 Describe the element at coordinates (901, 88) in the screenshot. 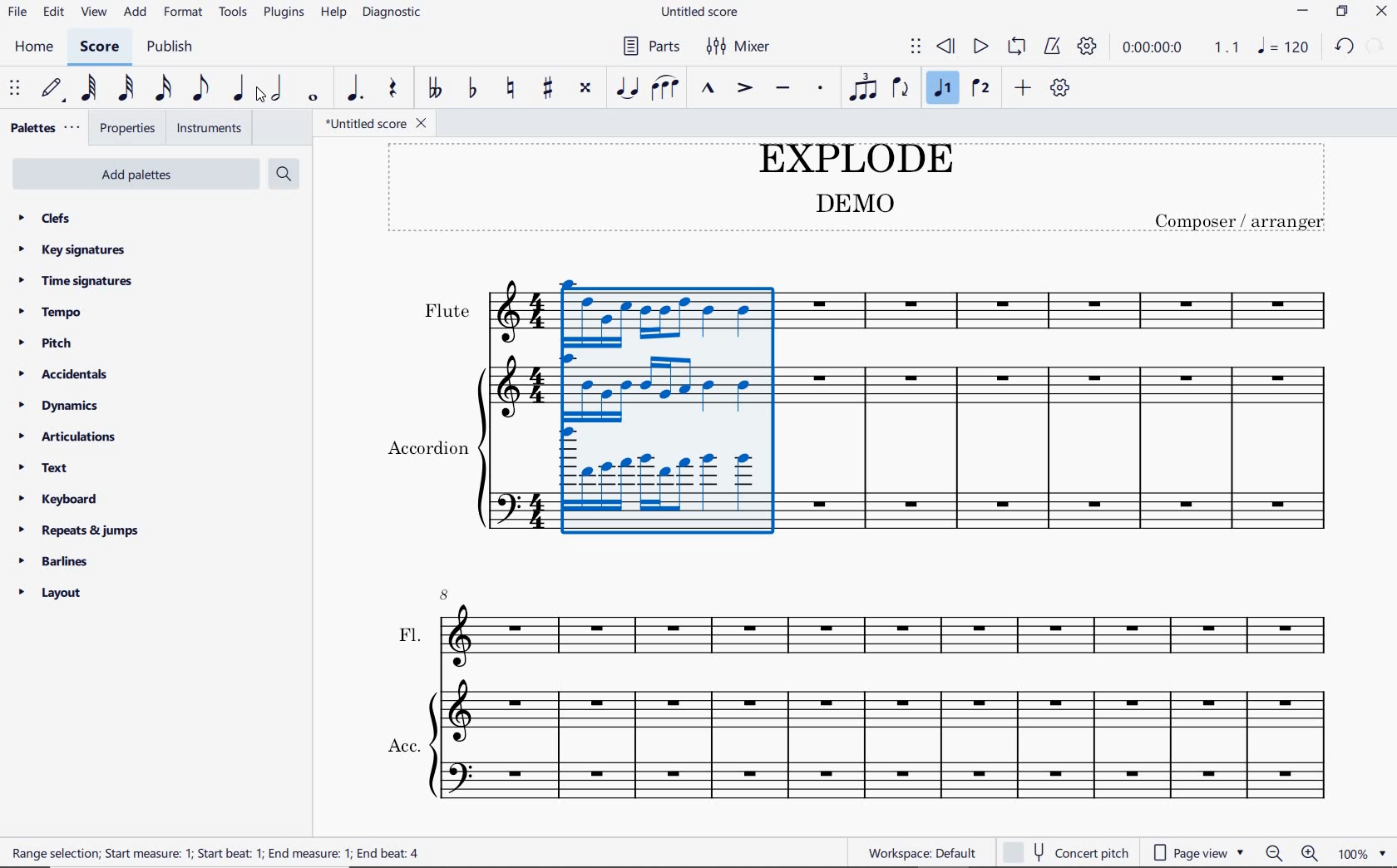

I see `flip direction` at that location.